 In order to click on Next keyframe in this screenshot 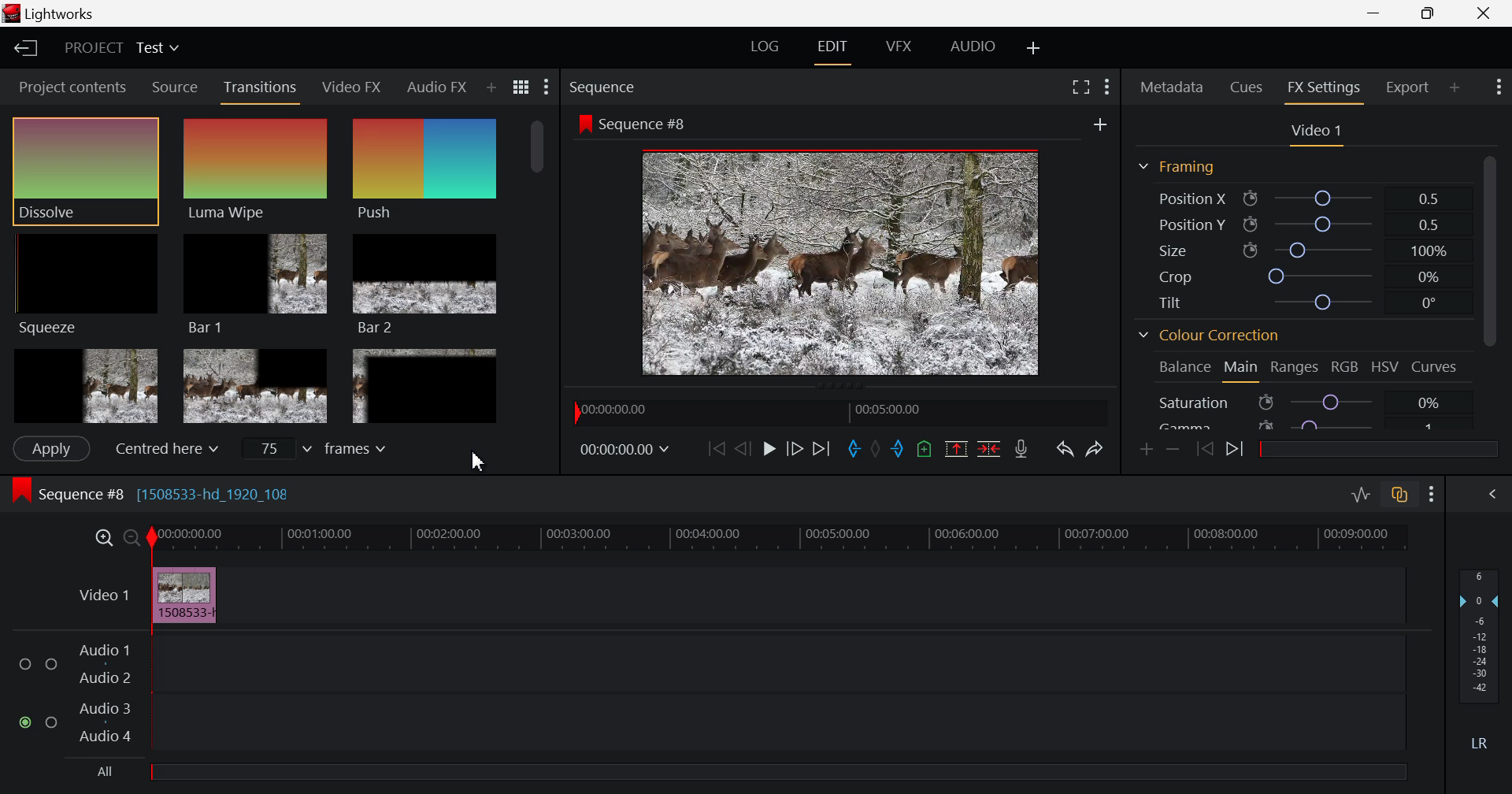, I will do `click(1236, 449)`.